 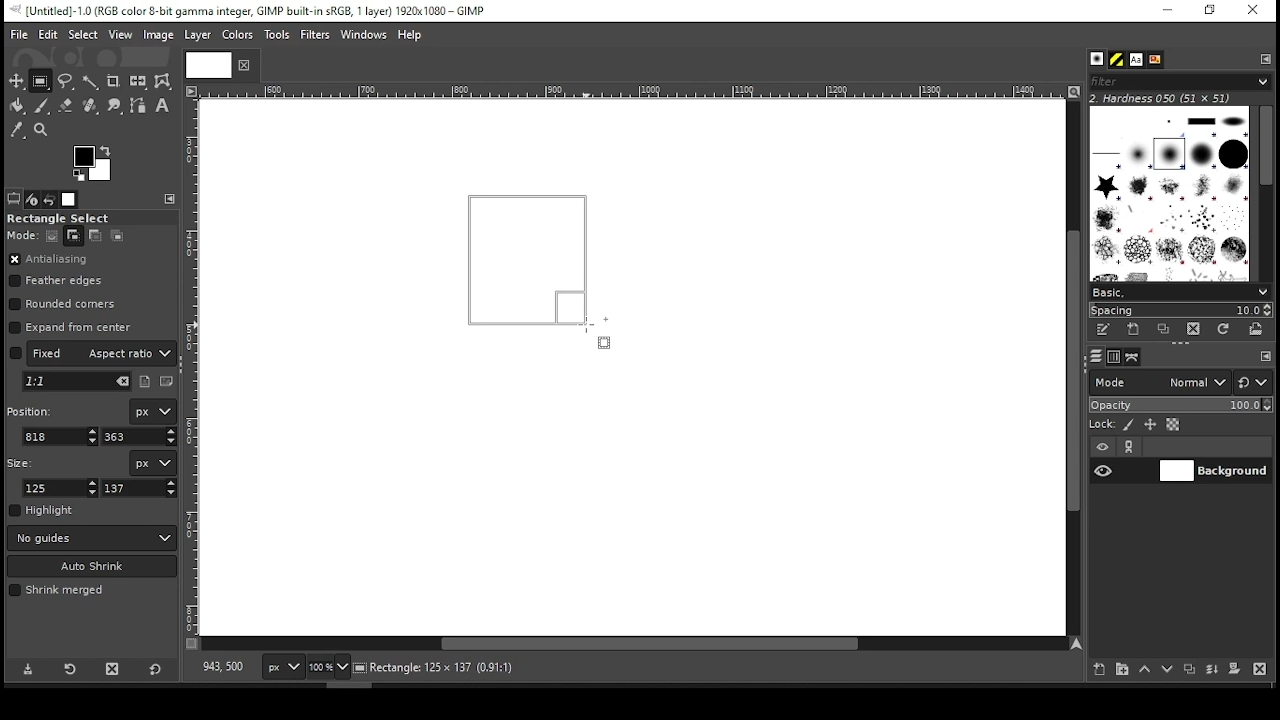 I want to click on eraser tool, so click(x=65, y=105).